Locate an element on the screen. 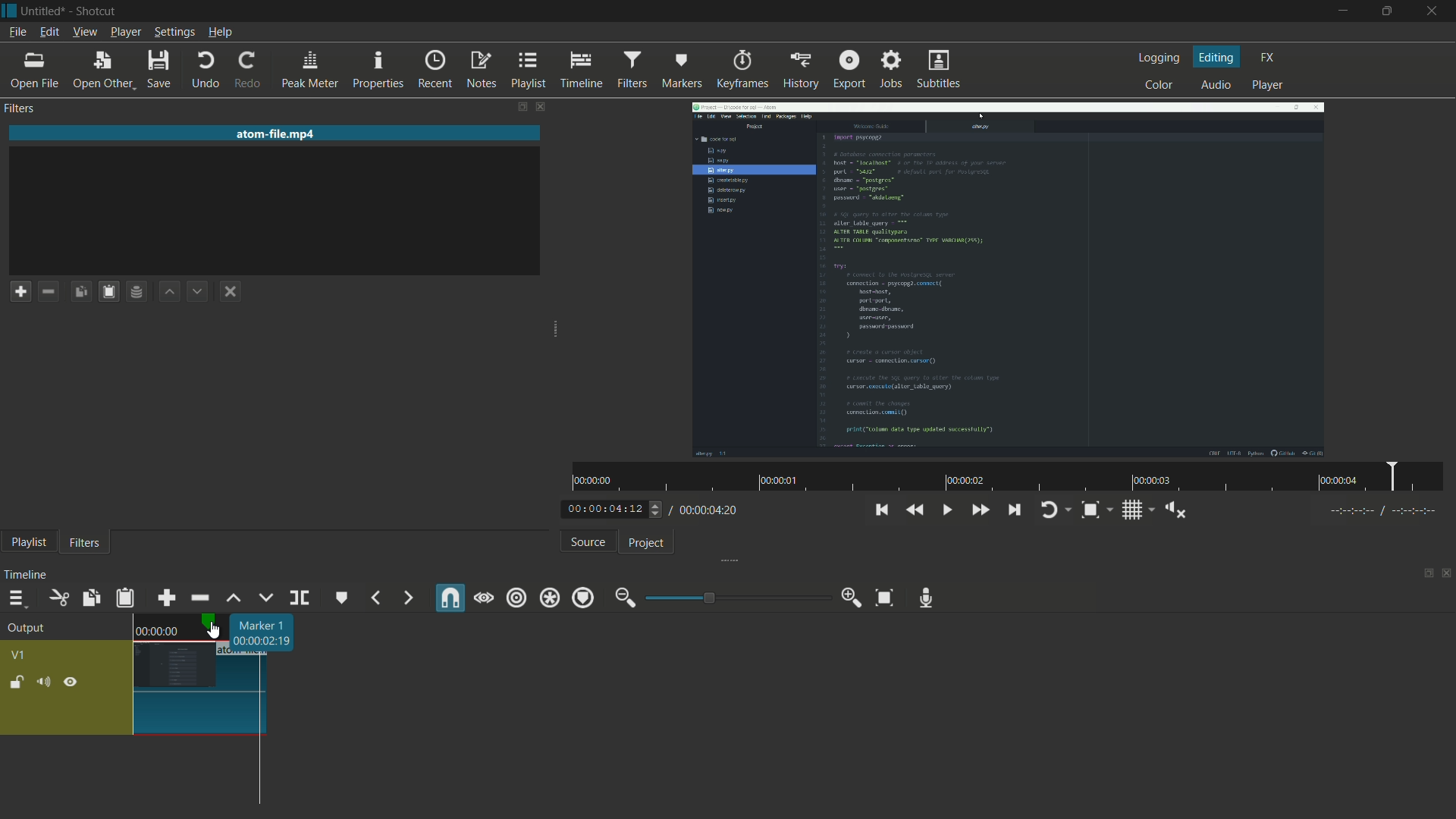  close timeline is located at coordinates (1447, 574).